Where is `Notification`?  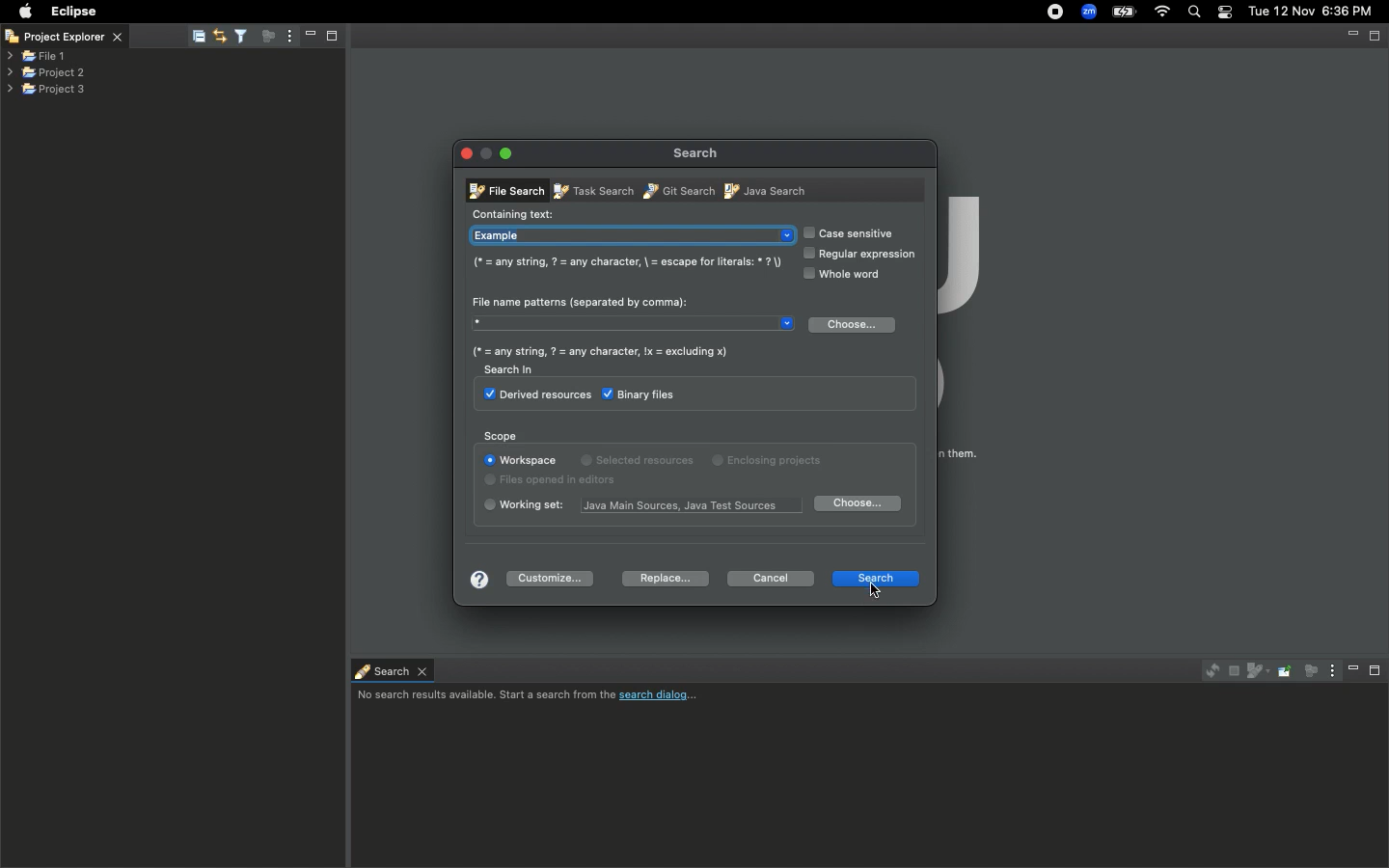
Notification is located at coordinates (1224, 13).